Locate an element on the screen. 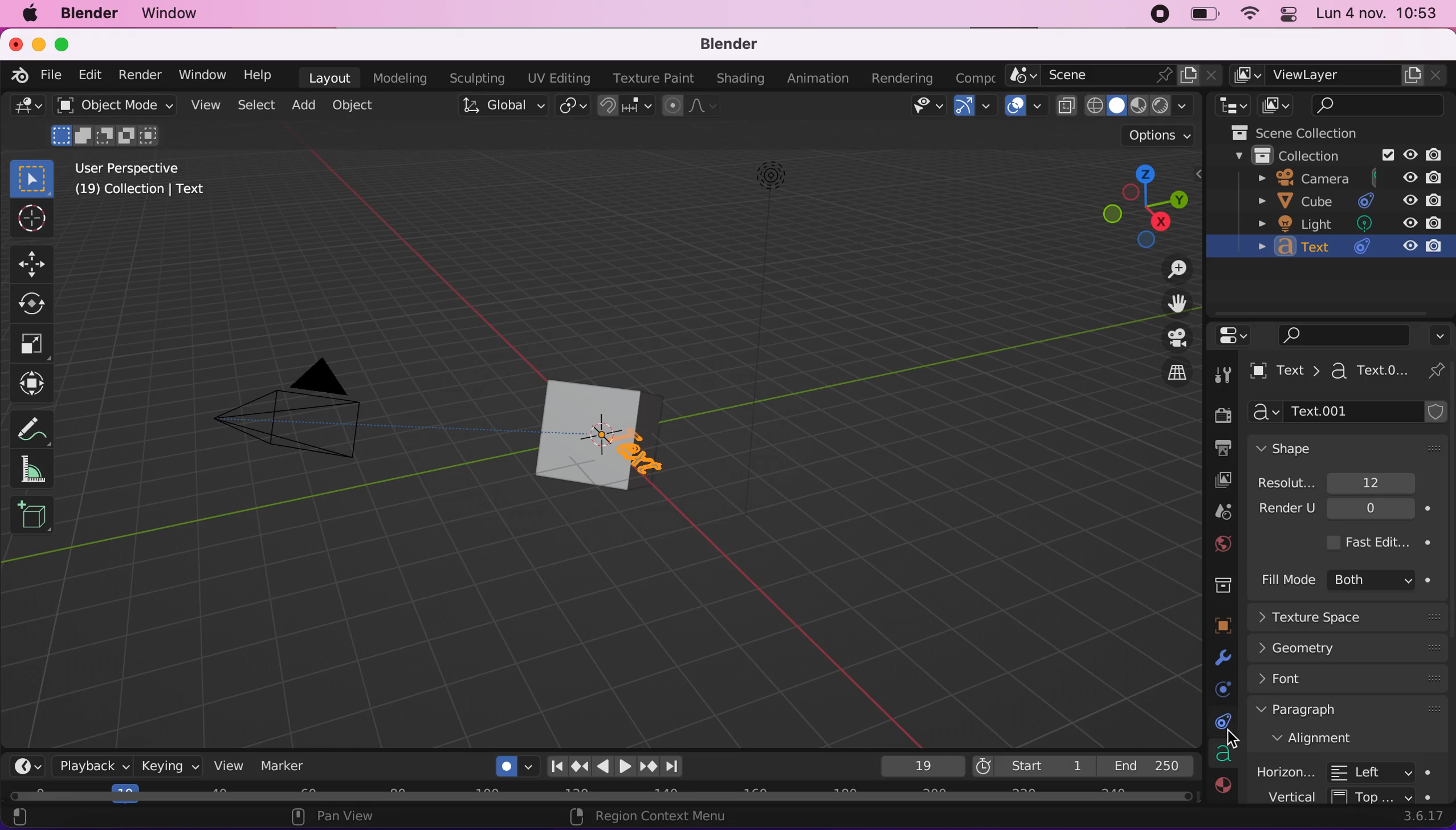  transform pivot point is located at coordinates (572, 106).